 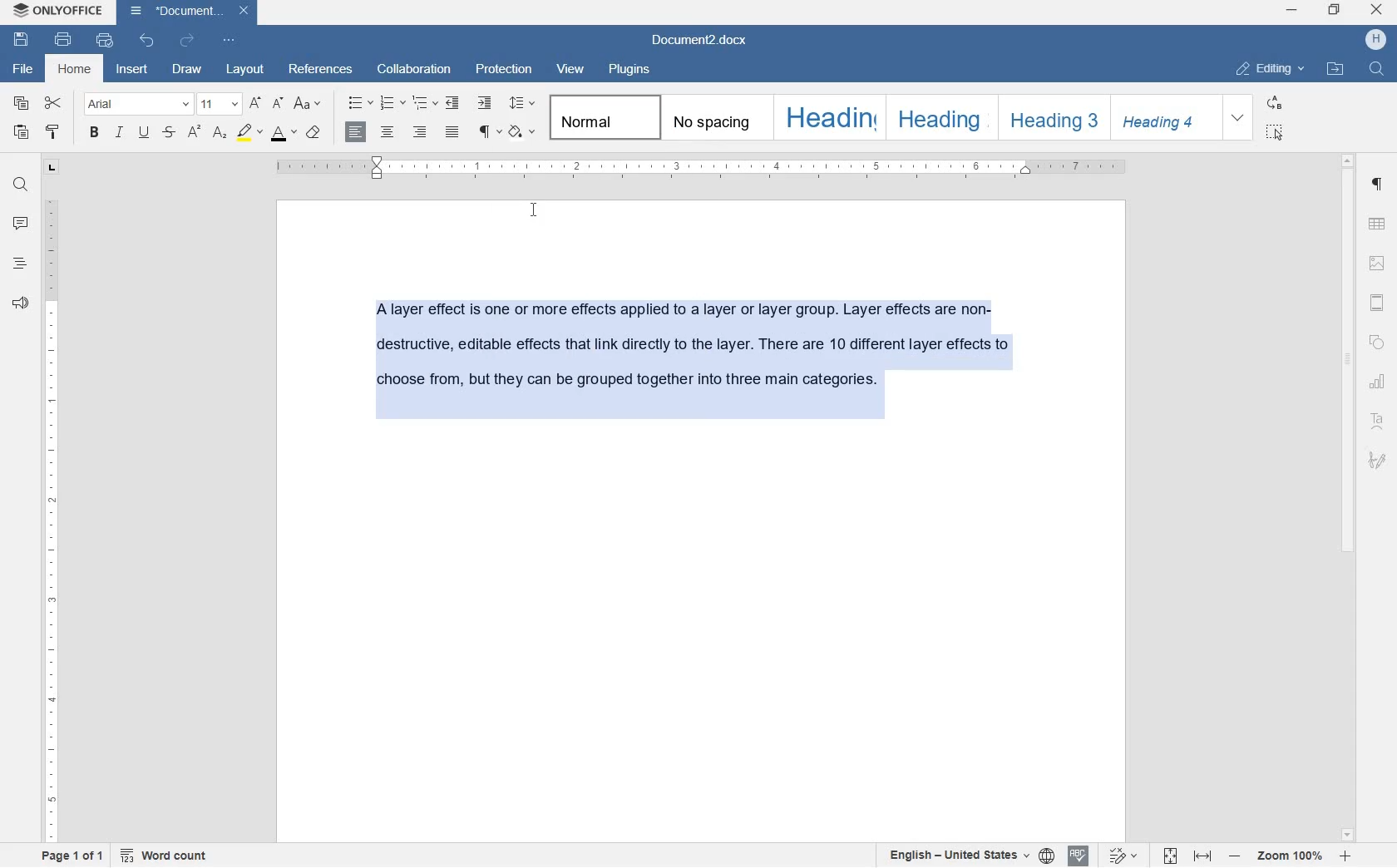 I want to click on table, so click(x=1378, y=224).